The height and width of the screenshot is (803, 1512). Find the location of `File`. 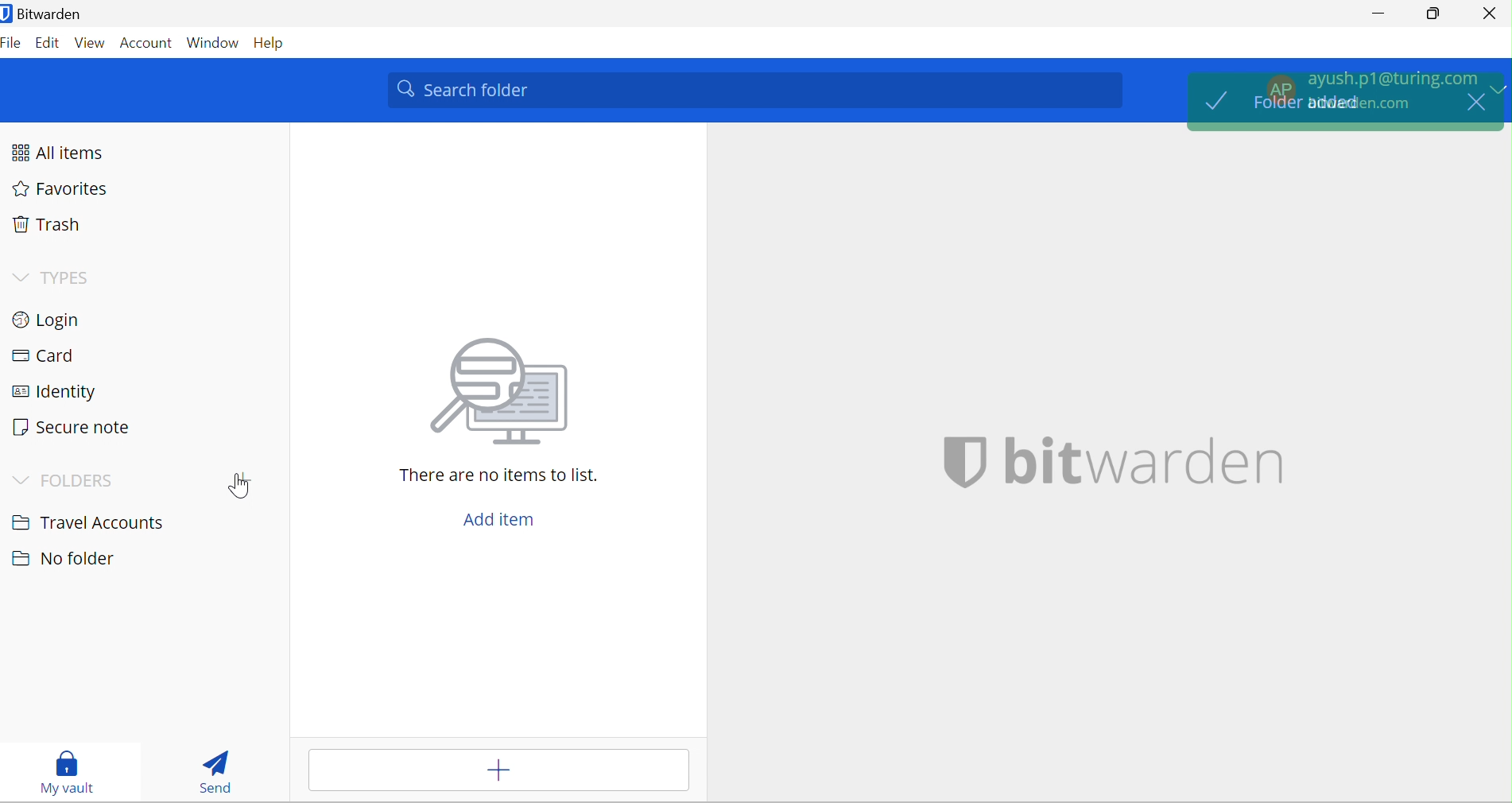

File is located at coordinates (14, 44).